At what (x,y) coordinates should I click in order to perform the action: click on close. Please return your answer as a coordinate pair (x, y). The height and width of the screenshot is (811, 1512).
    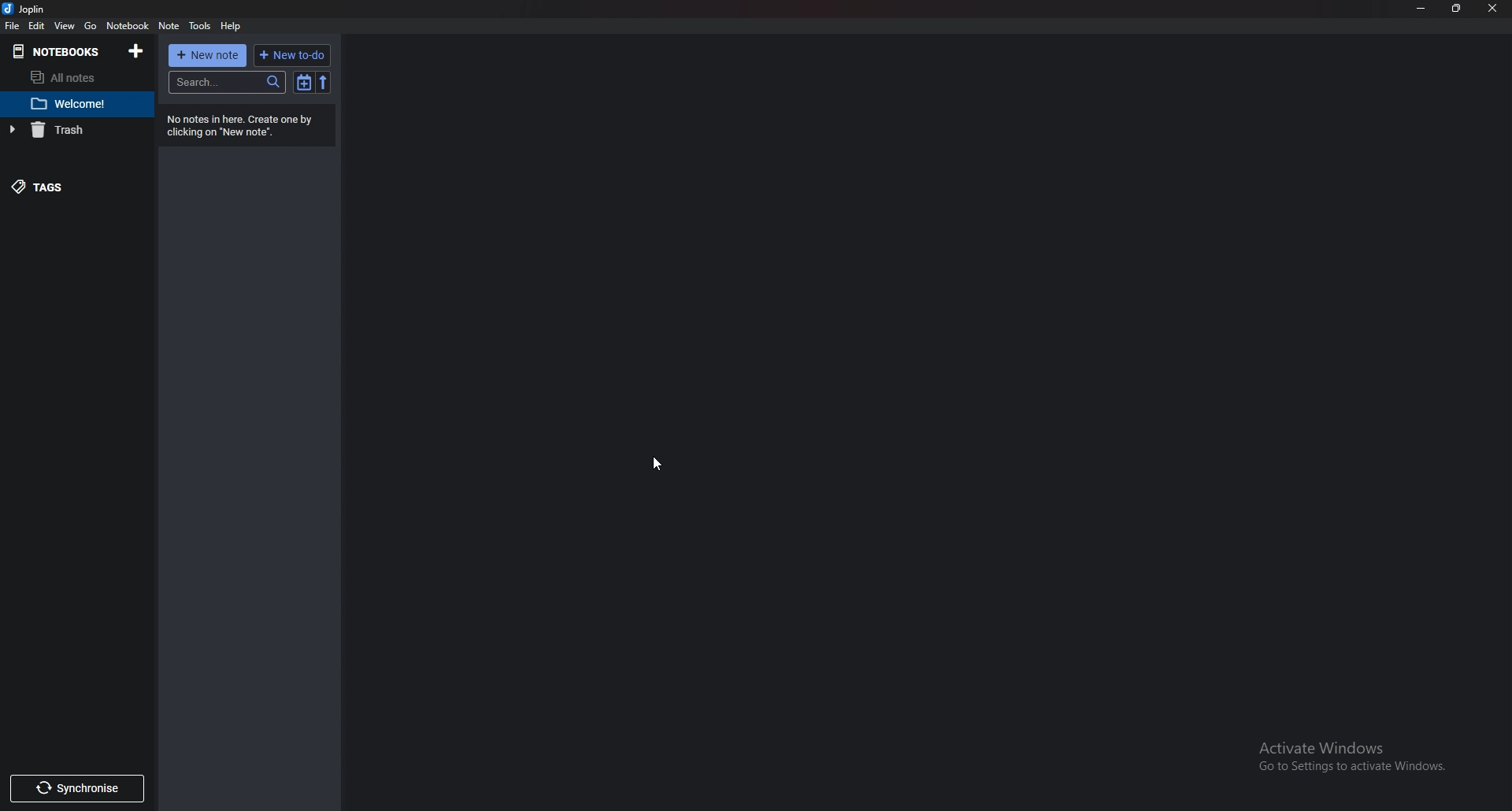
    Looking at the image, I should click on (1493, 8).